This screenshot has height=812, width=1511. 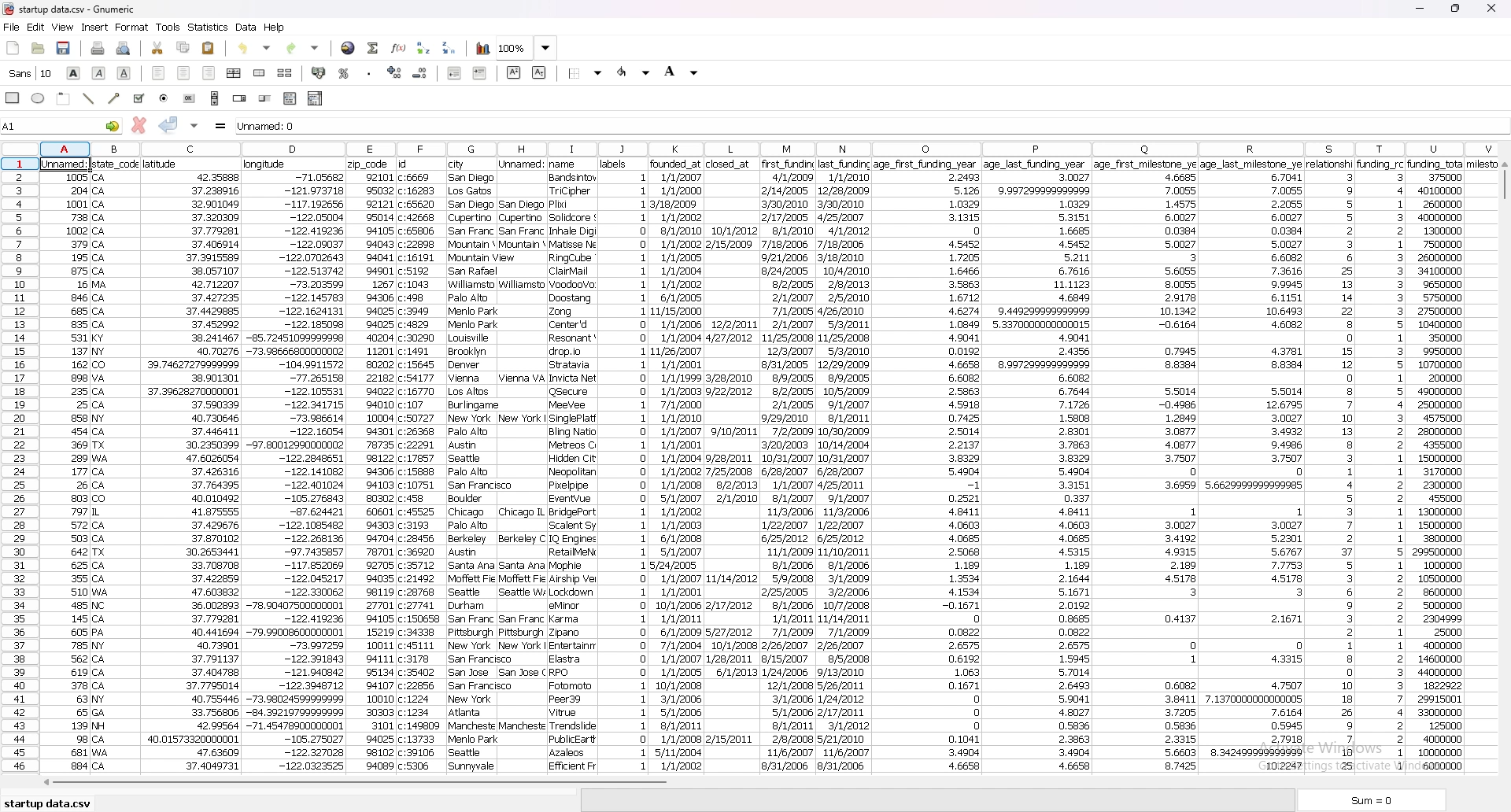 I want to click on print, so click(x=98, y=47).